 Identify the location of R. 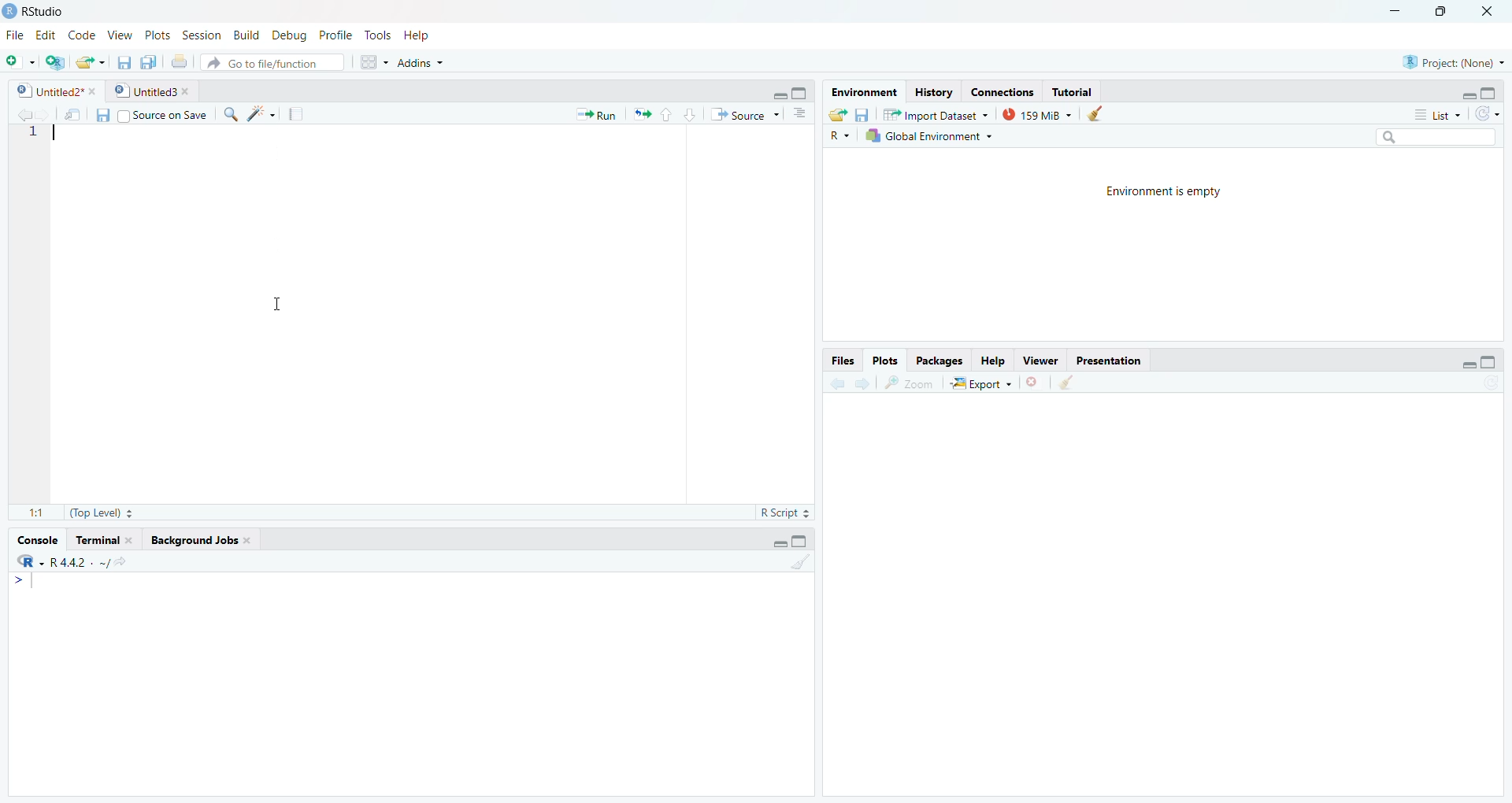
(28, 561).